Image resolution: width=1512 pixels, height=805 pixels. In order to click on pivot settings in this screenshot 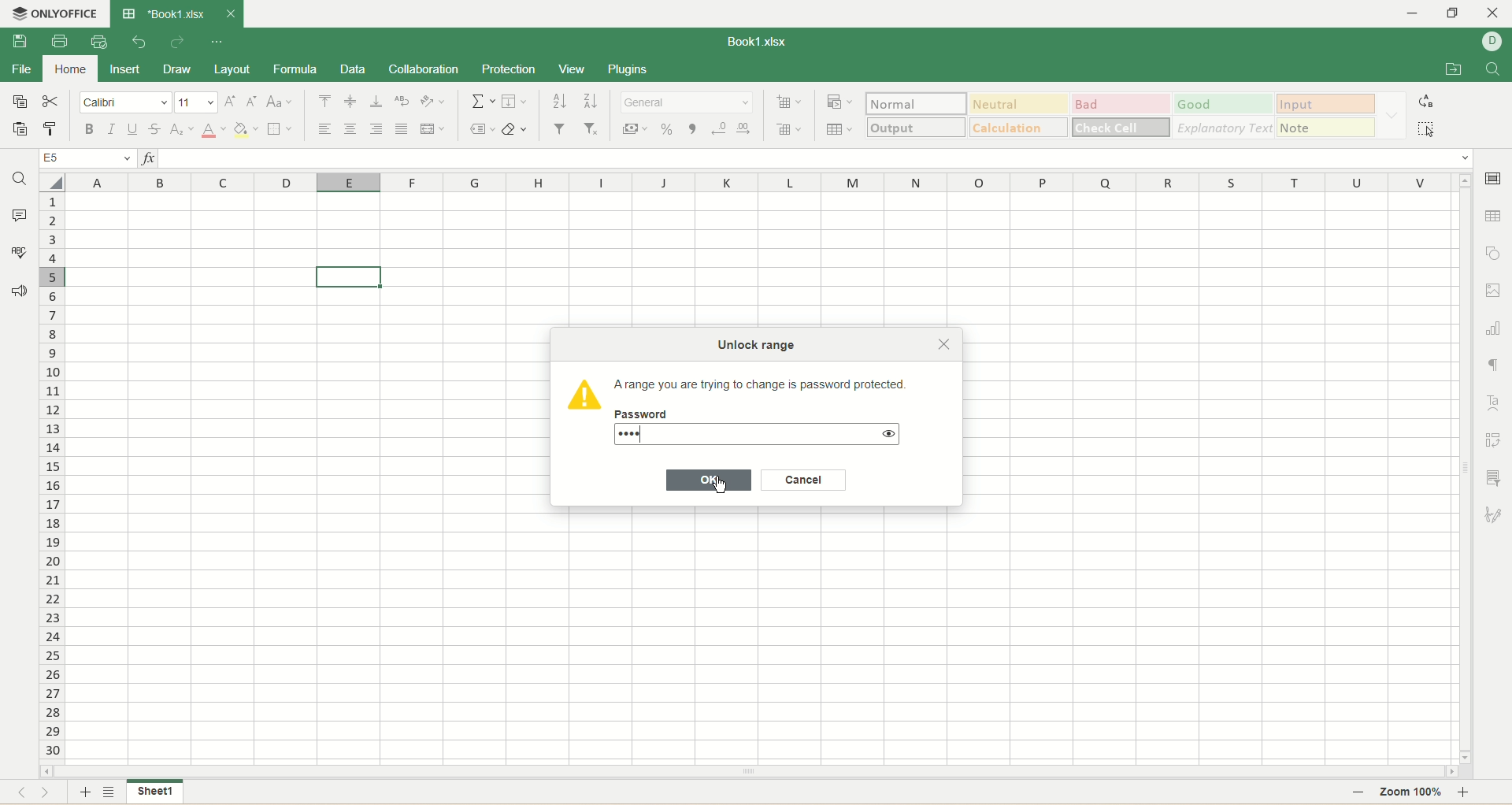, I will do `click(1495, 440)`.